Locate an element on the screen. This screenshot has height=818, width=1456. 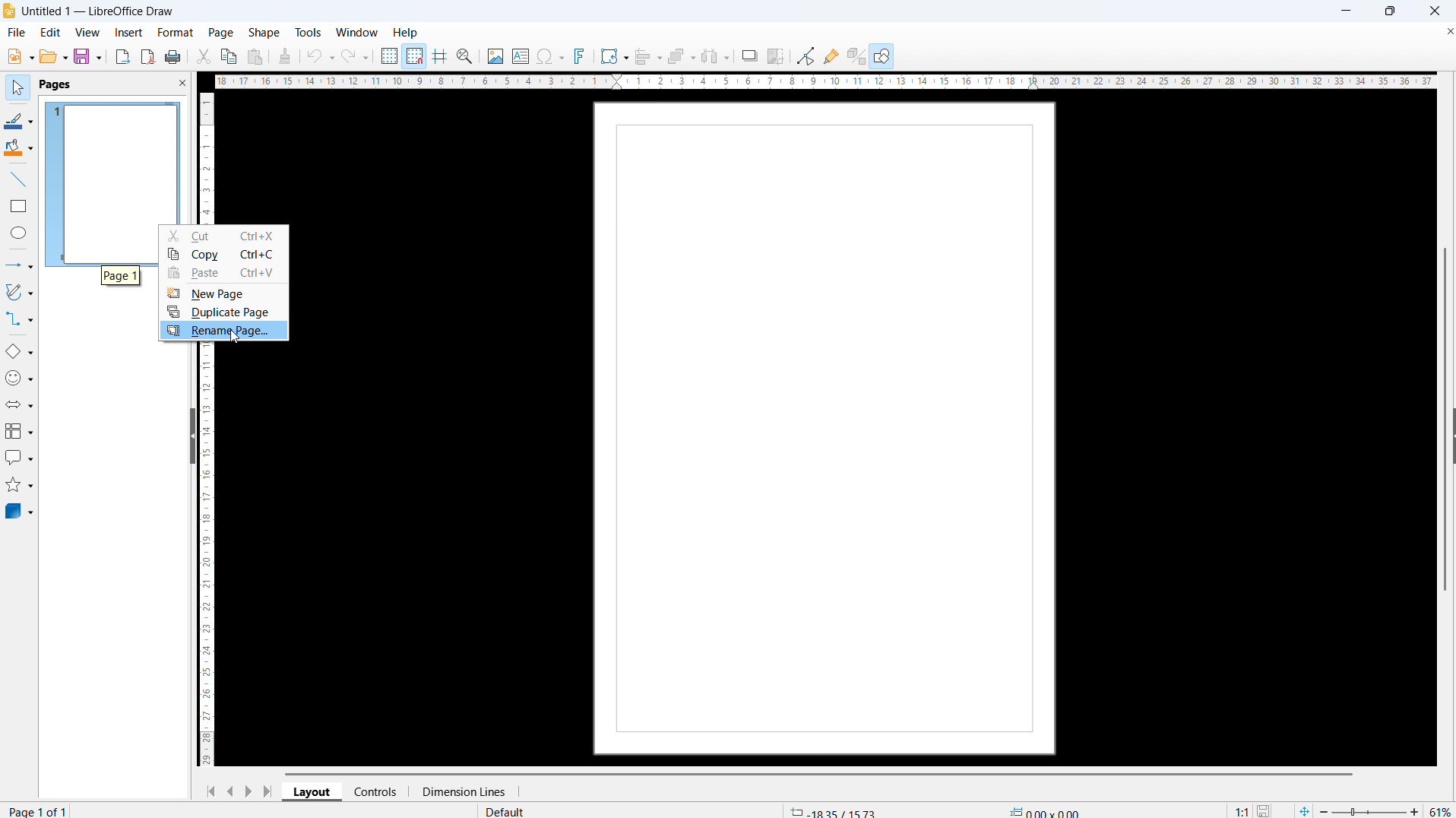
crop is located at coordinates (777, 55).